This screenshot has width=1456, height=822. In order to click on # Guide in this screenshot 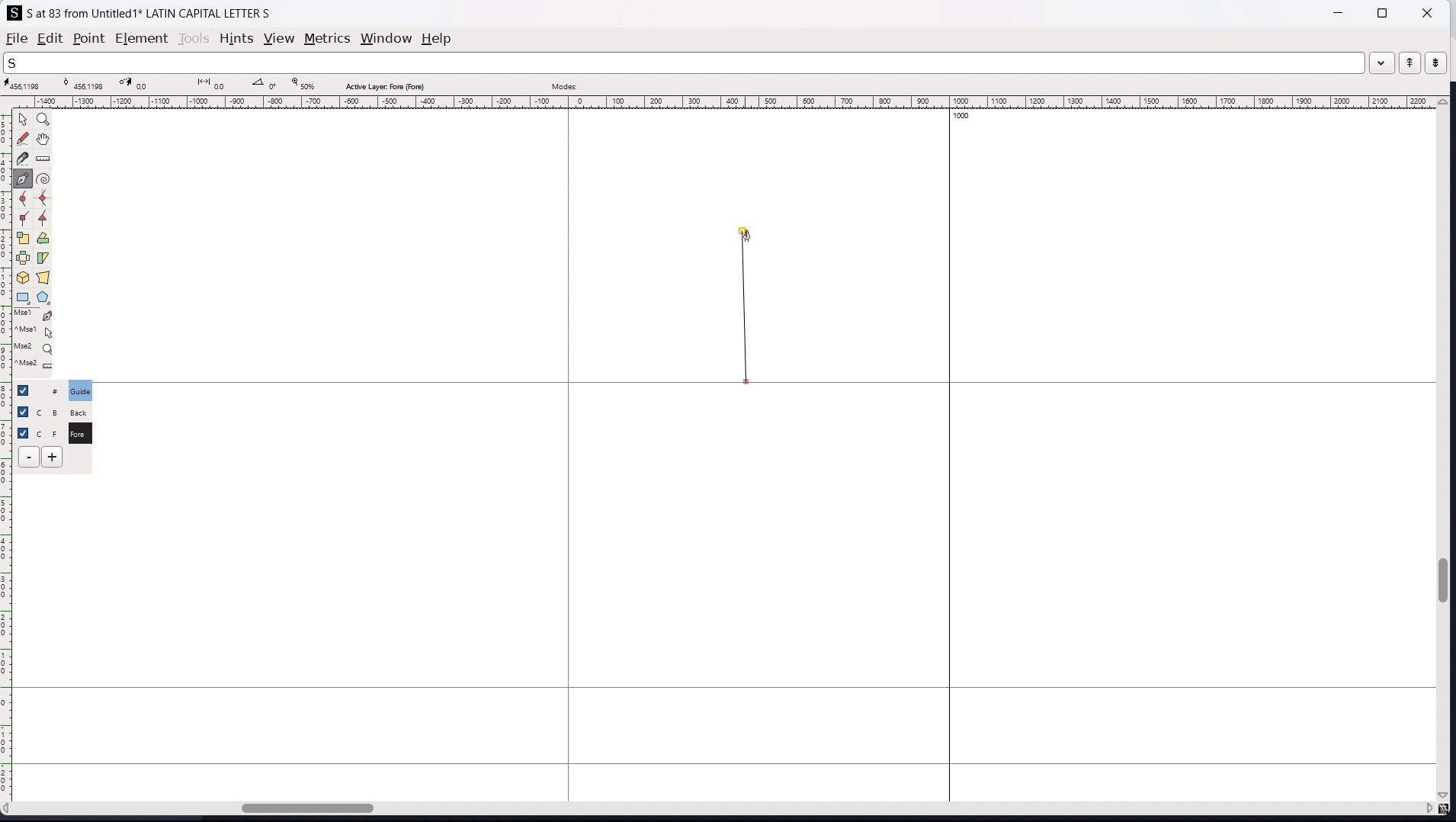, I will do `click(82, 390)`.